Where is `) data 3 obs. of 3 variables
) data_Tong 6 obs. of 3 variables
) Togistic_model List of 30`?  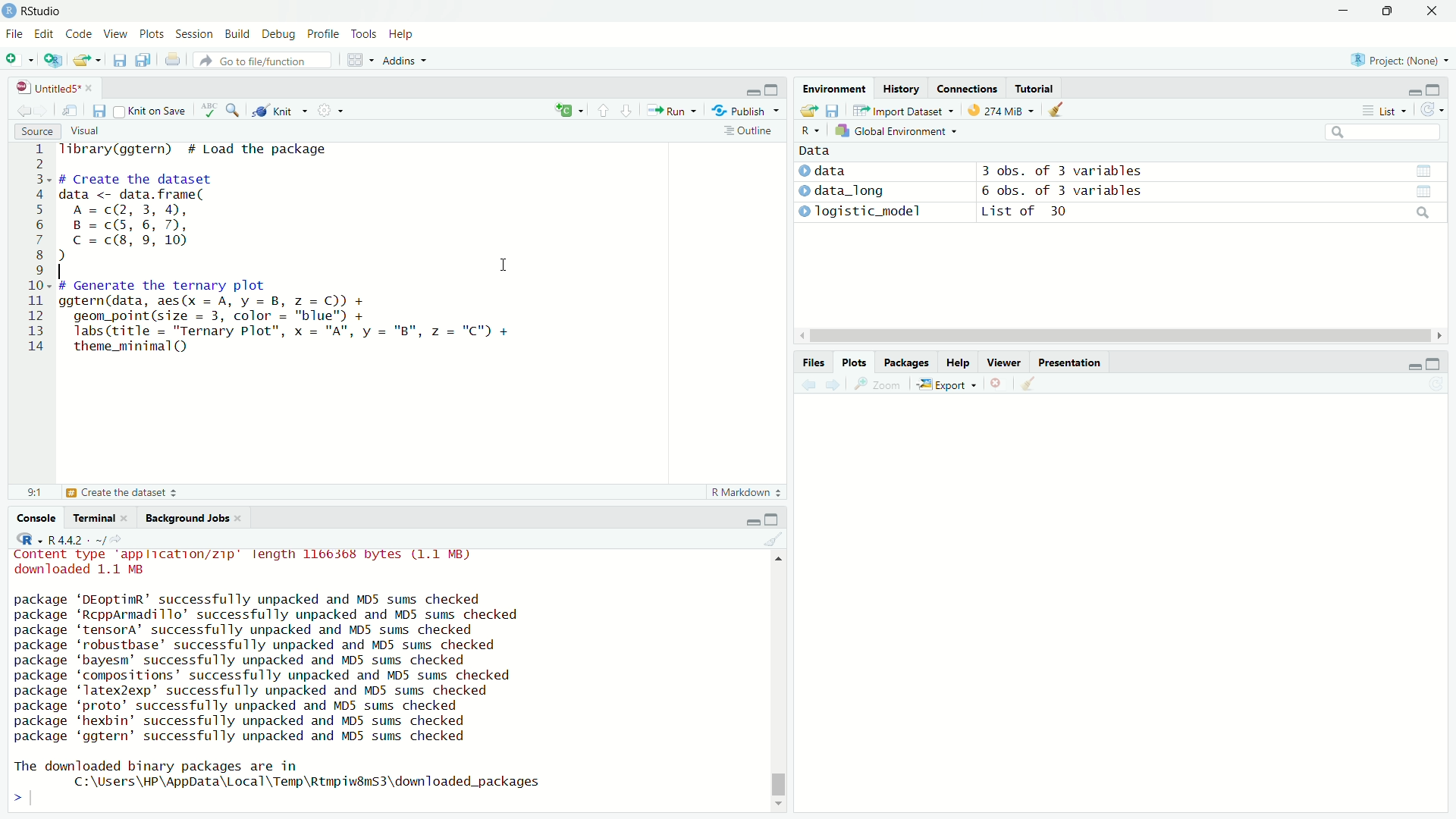 ) data 3 obs. of 3 variables
) data_Tong 6 obs. of 3 variables
) Togistic_model List of 30 is located at coordinates (1028, 196).